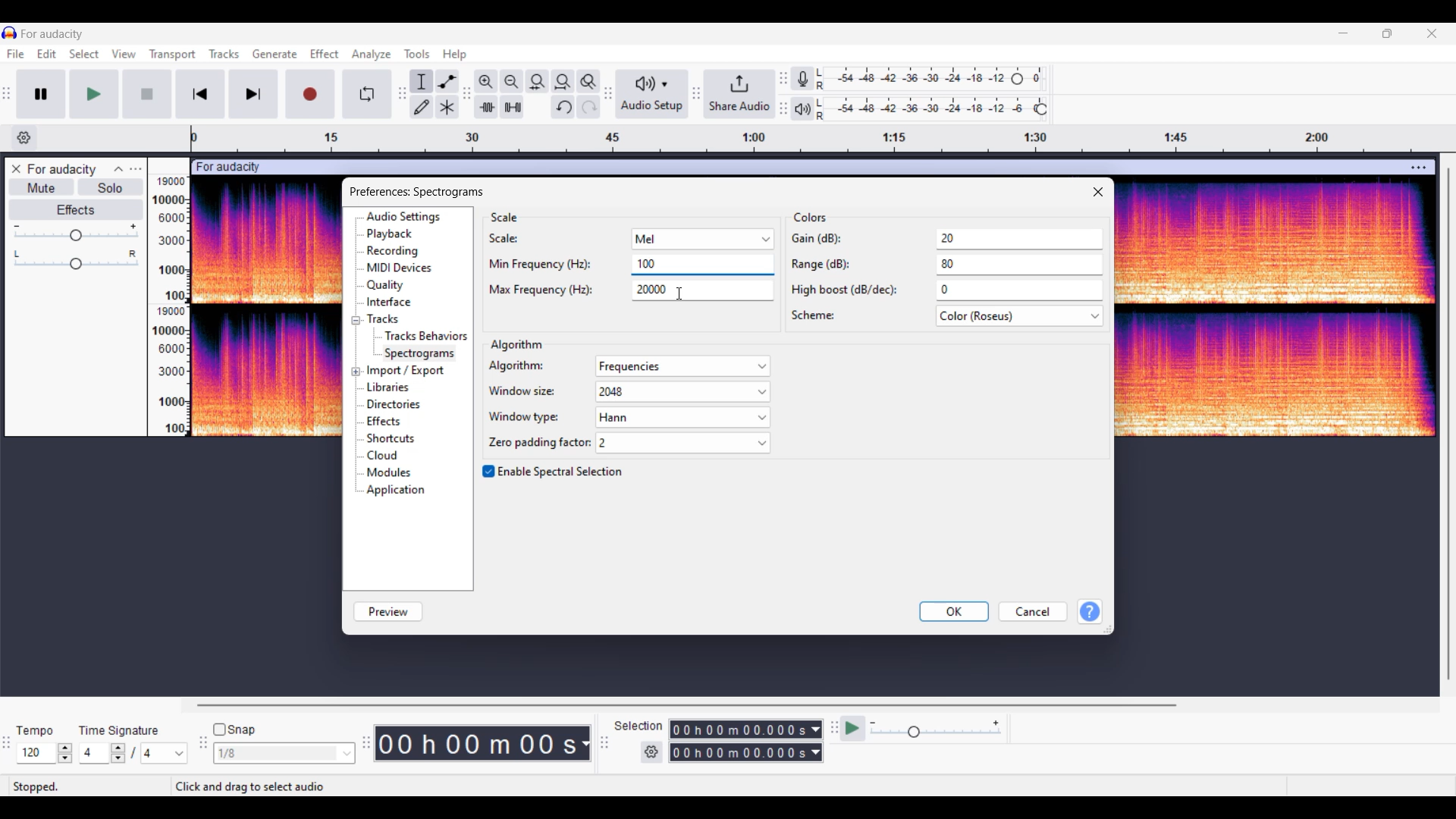 The height and width of the screenshot is (819, 1456). Describe the element at coordinates (652, 93) in the screenshot. I see `Audio setup` at that location.